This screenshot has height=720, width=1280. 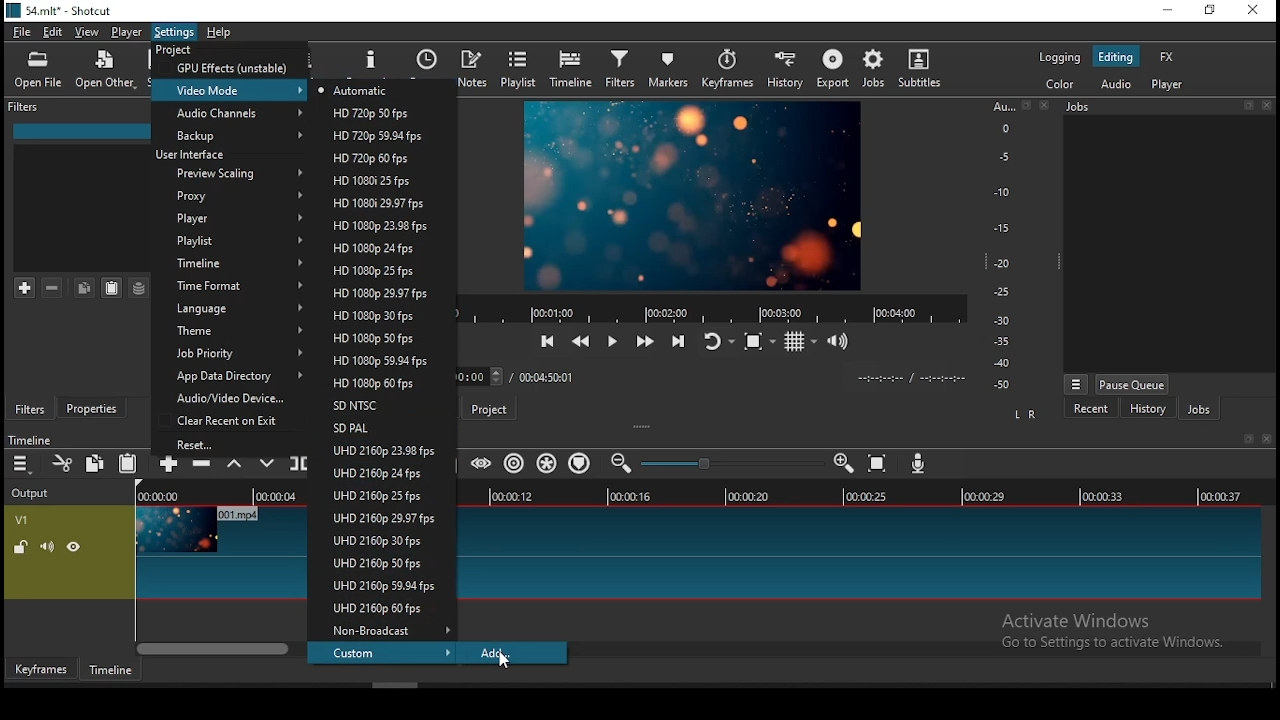 I want to click on resolution option, so click(x=379, y=429).